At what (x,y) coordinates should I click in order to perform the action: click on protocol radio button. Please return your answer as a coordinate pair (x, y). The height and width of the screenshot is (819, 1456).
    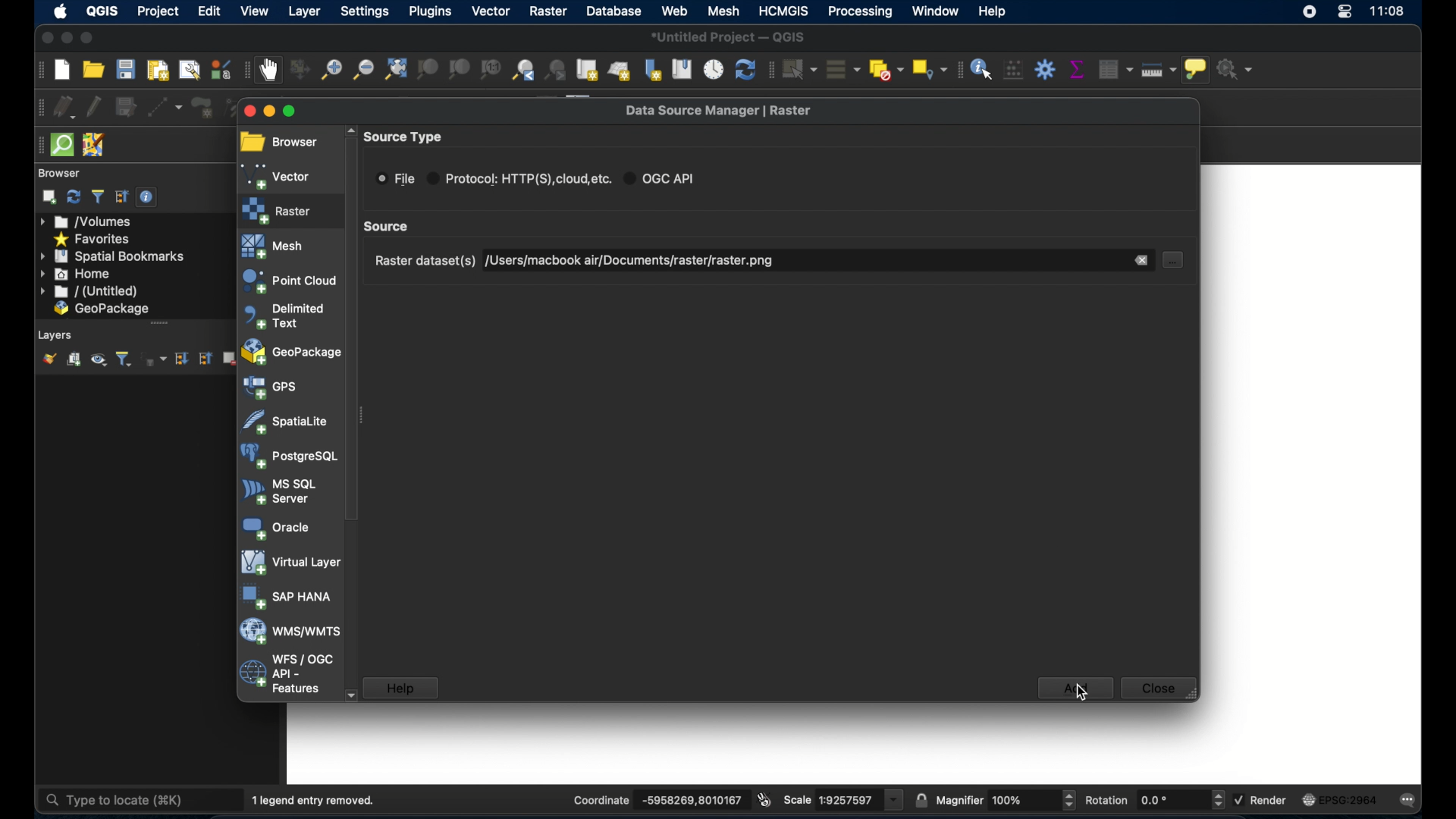
    Looking at the image, I should click on (519, 178).